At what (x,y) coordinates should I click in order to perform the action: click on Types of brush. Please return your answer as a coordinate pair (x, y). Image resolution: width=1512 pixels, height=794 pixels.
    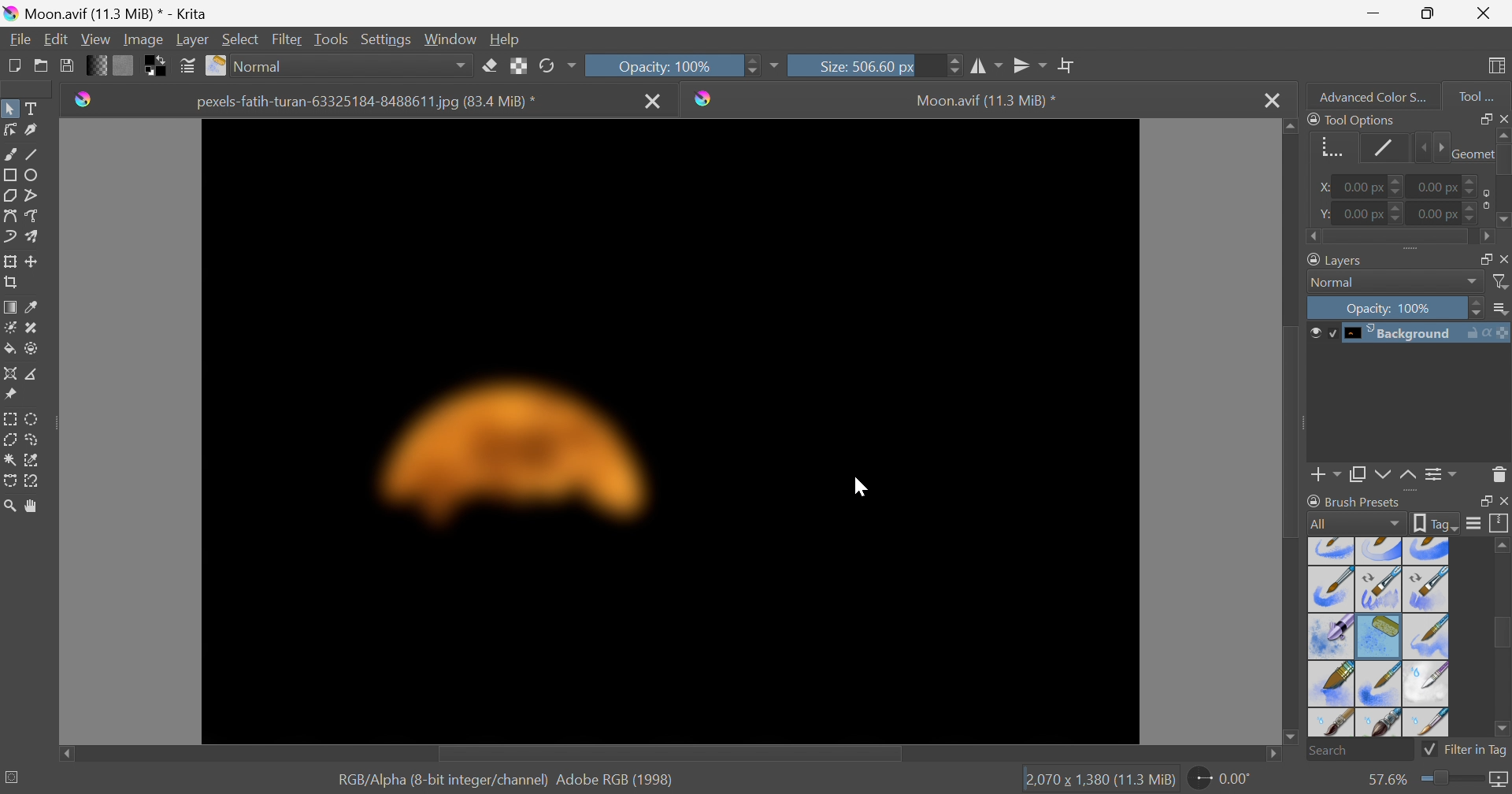
    Looking at the image, I should click on (1379, 636).